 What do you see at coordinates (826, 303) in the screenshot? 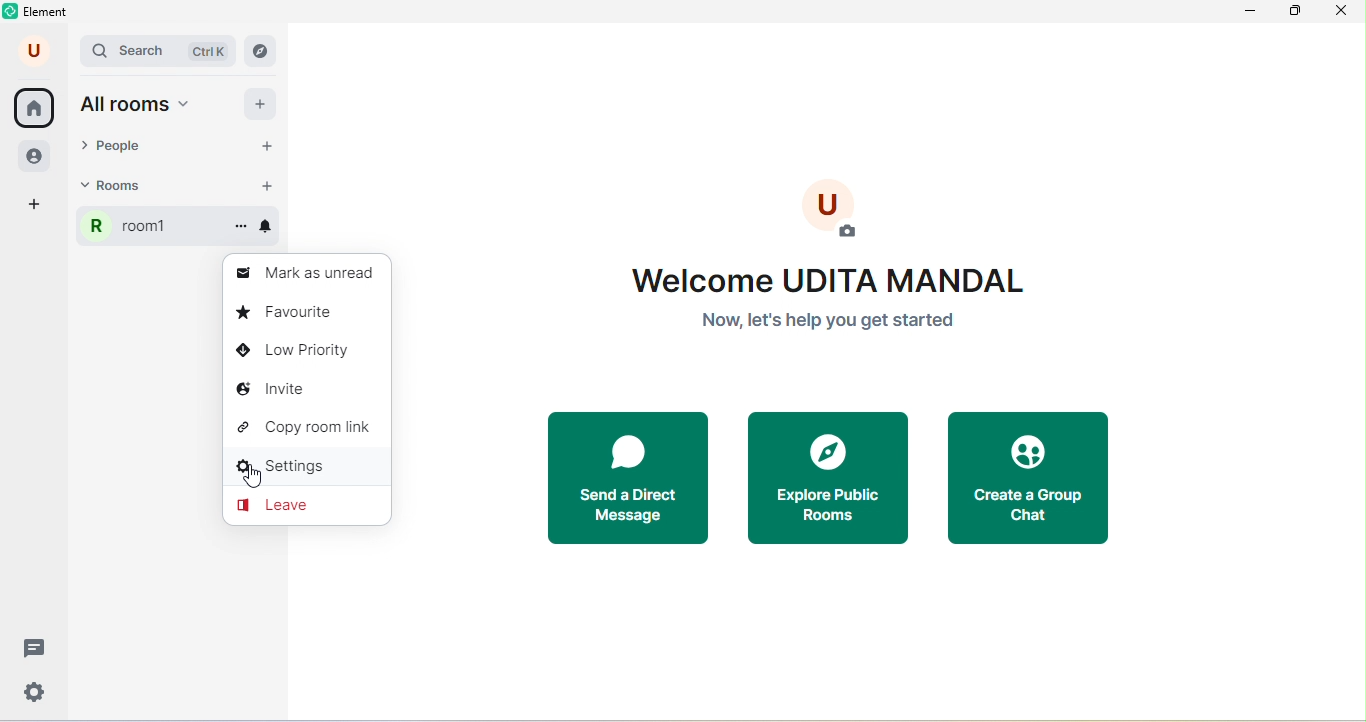
I see `welcome text` at bounding box center [826, 303].